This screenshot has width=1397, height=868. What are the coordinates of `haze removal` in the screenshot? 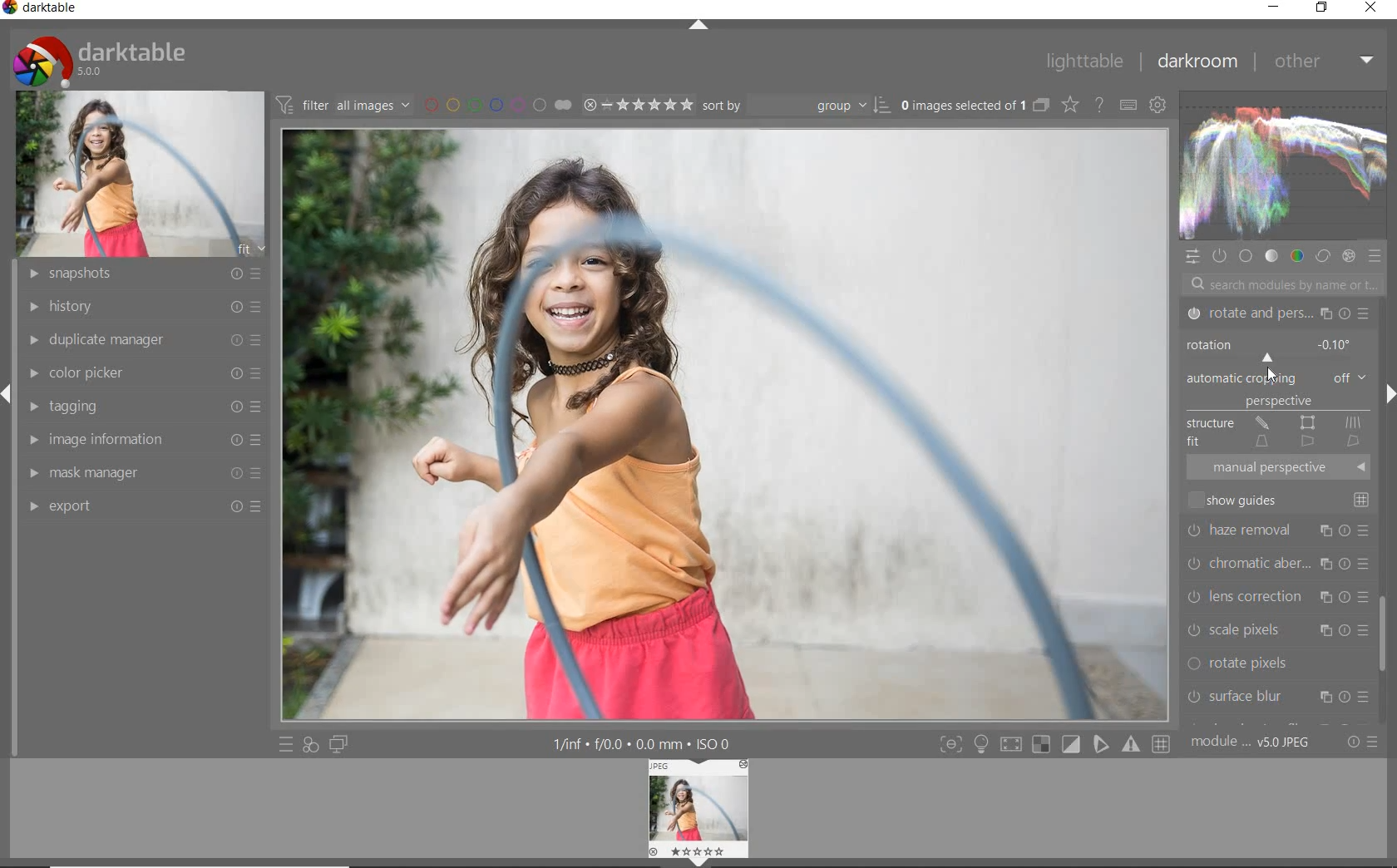 It's located at (1279, 530).